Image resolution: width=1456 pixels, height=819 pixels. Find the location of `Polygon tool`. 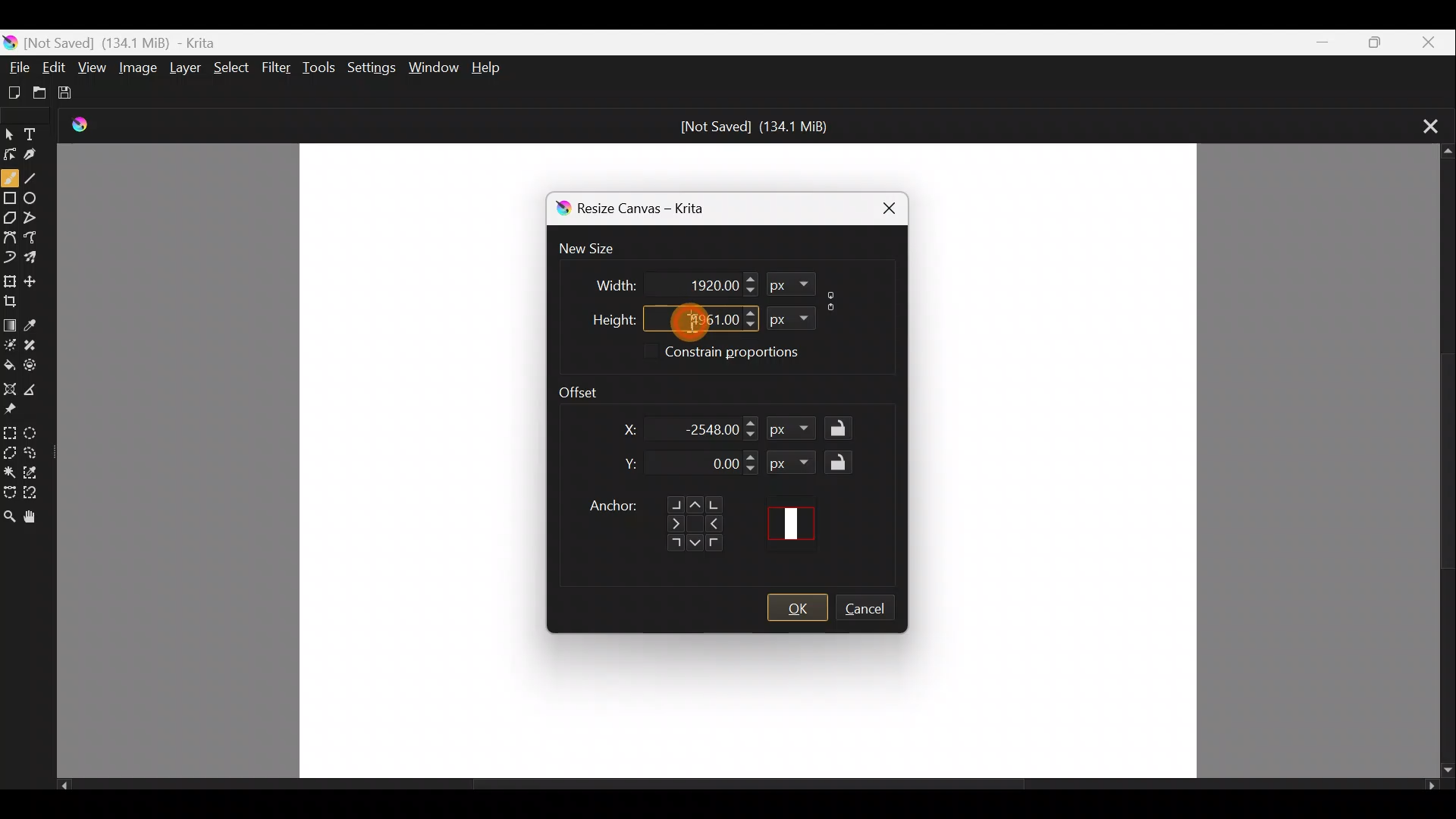

Polygon tool is located at coordinates (11, 219).